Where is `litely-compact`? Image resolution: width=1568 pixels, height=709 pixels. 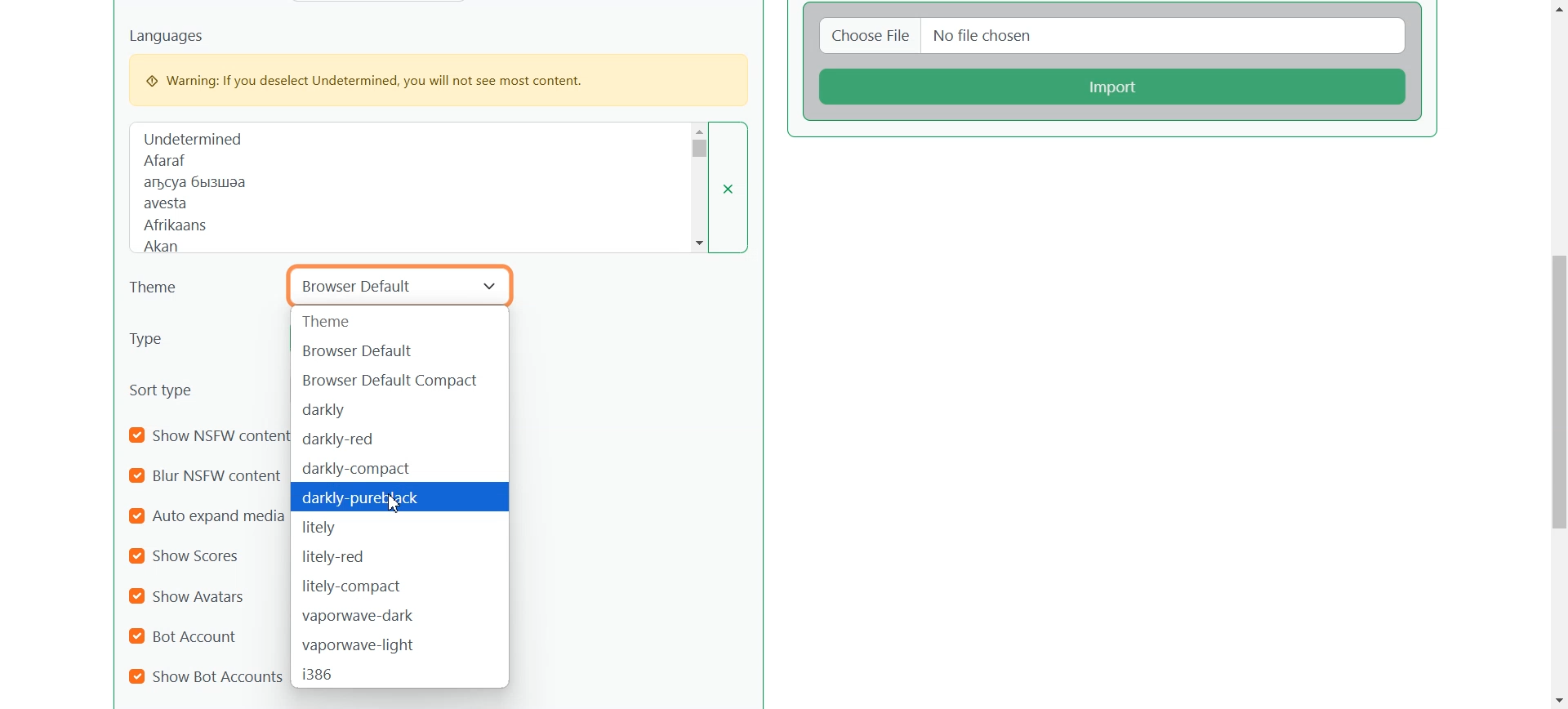 litely-compact is located at coordinates (400, 586).